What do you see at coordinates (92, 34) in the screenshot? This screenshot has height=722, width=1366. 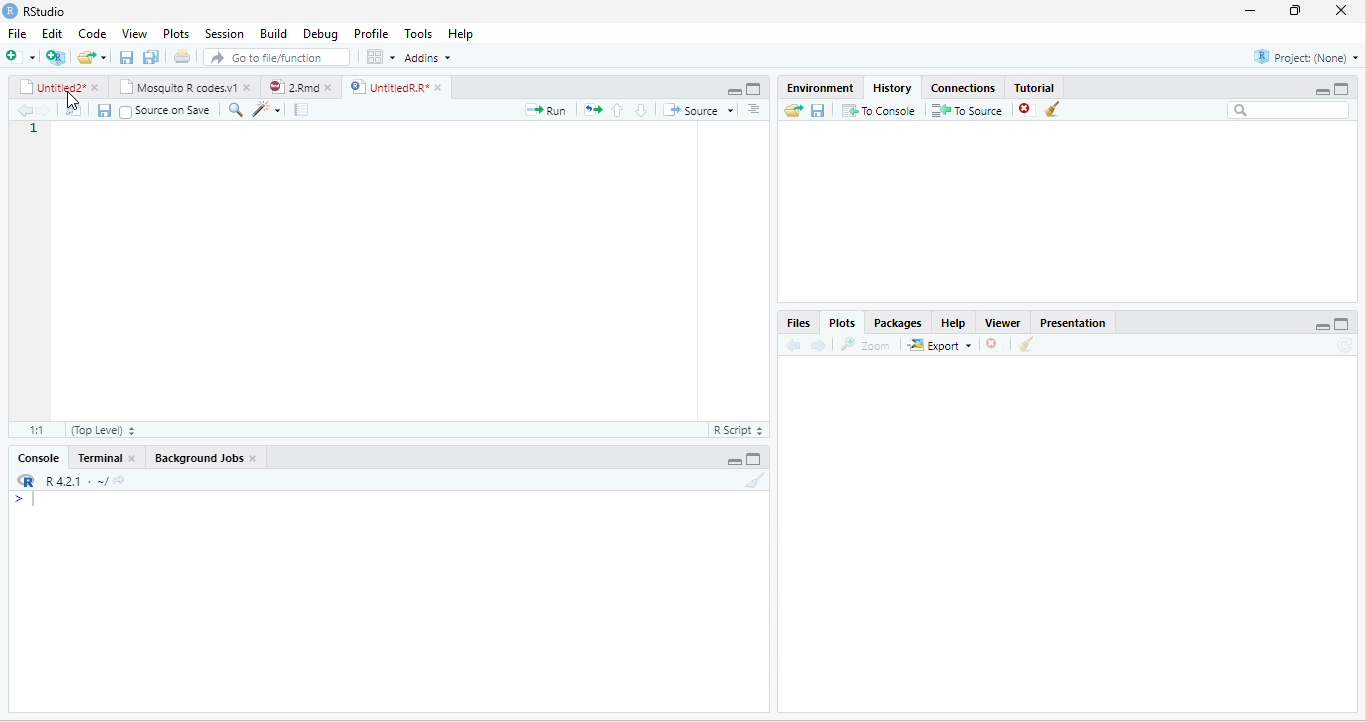 I see `code` at bounding box center [92, 34].